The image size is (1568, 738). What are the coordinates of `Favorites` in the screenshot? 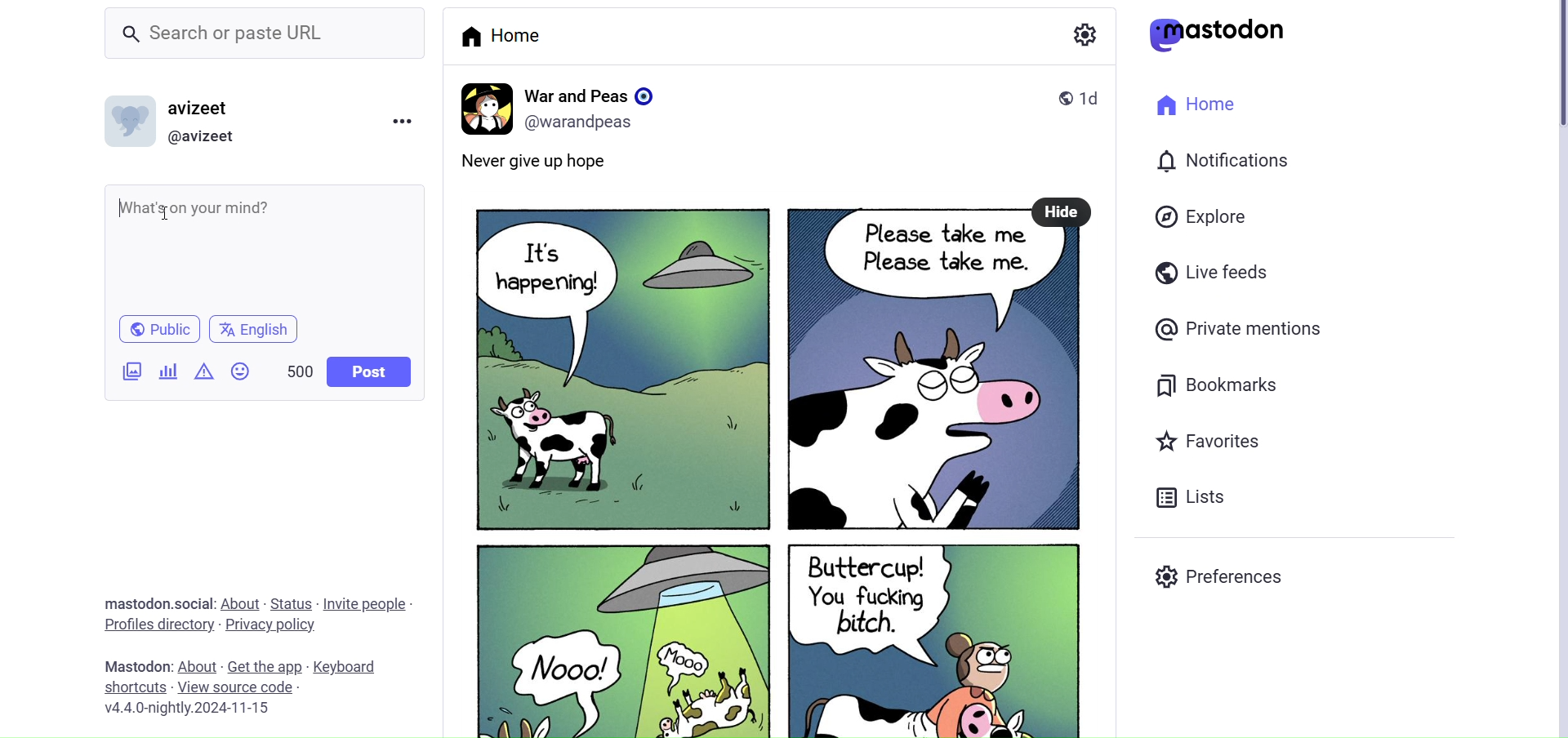 It's located at (1207, 440).